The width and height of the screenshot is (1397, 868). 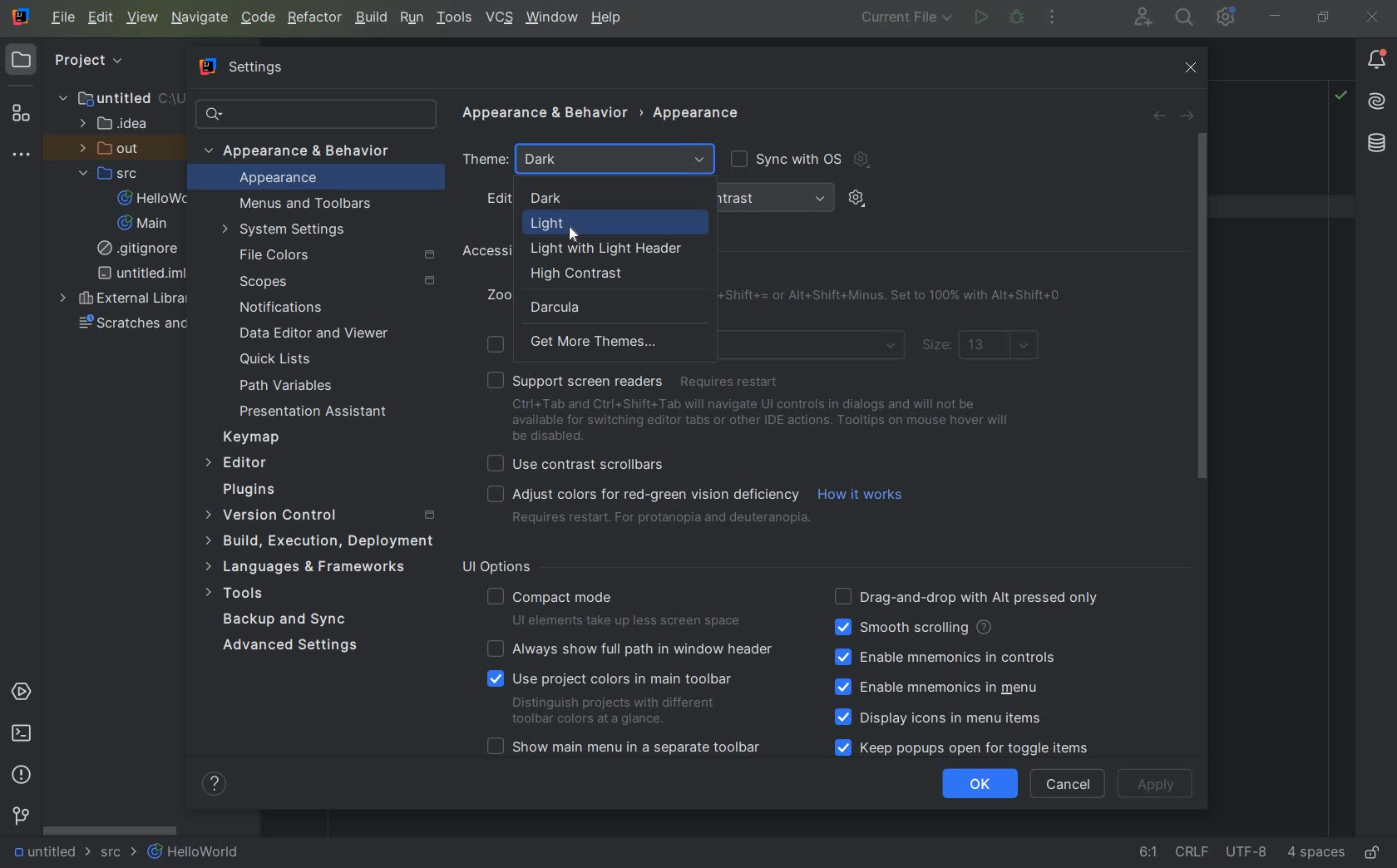 I want to click on DATABASE, so click(x=1377, y=145).